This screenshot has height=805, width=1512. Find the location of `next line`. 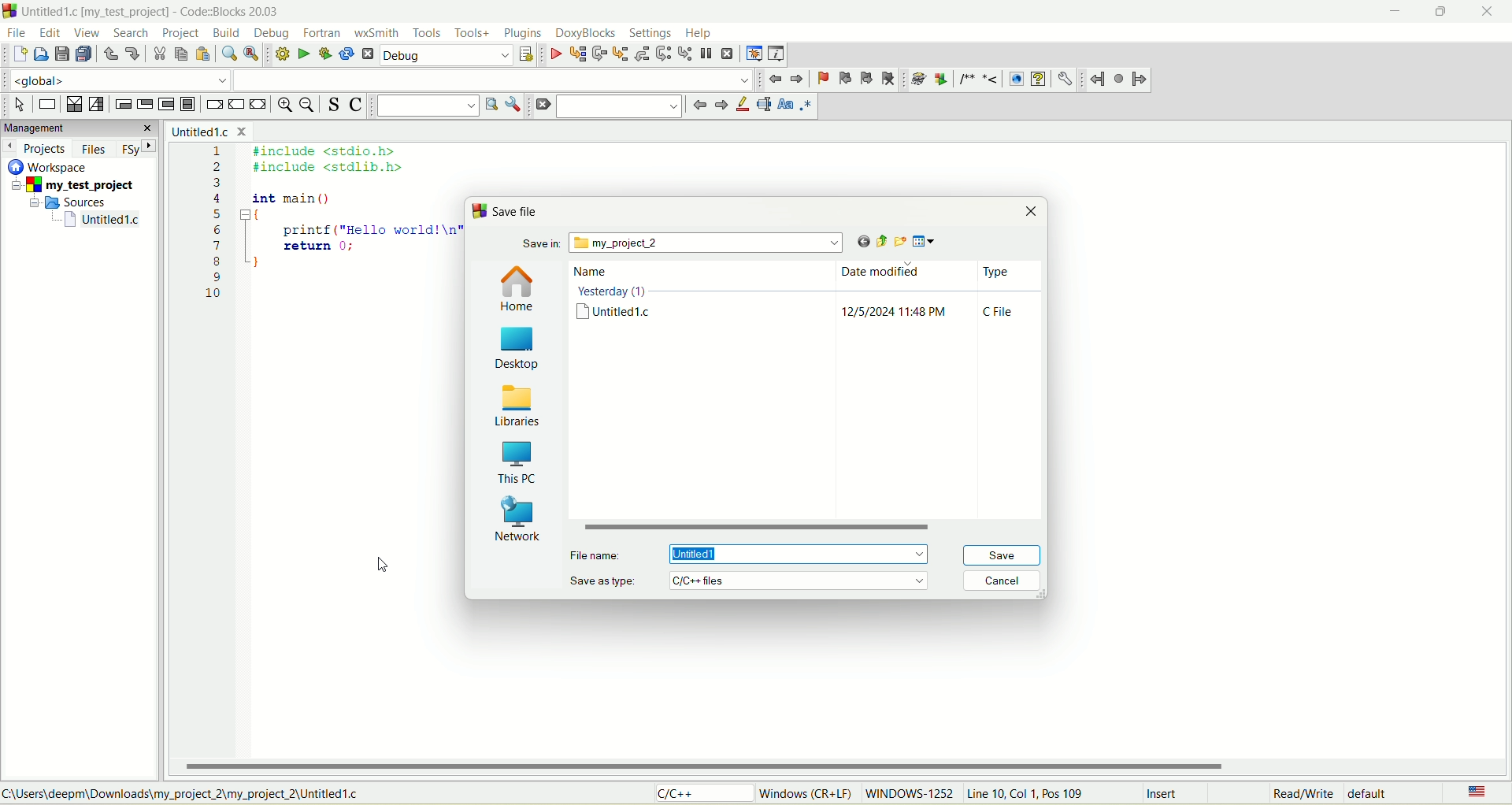

next line is located at coordinates (598, 54).